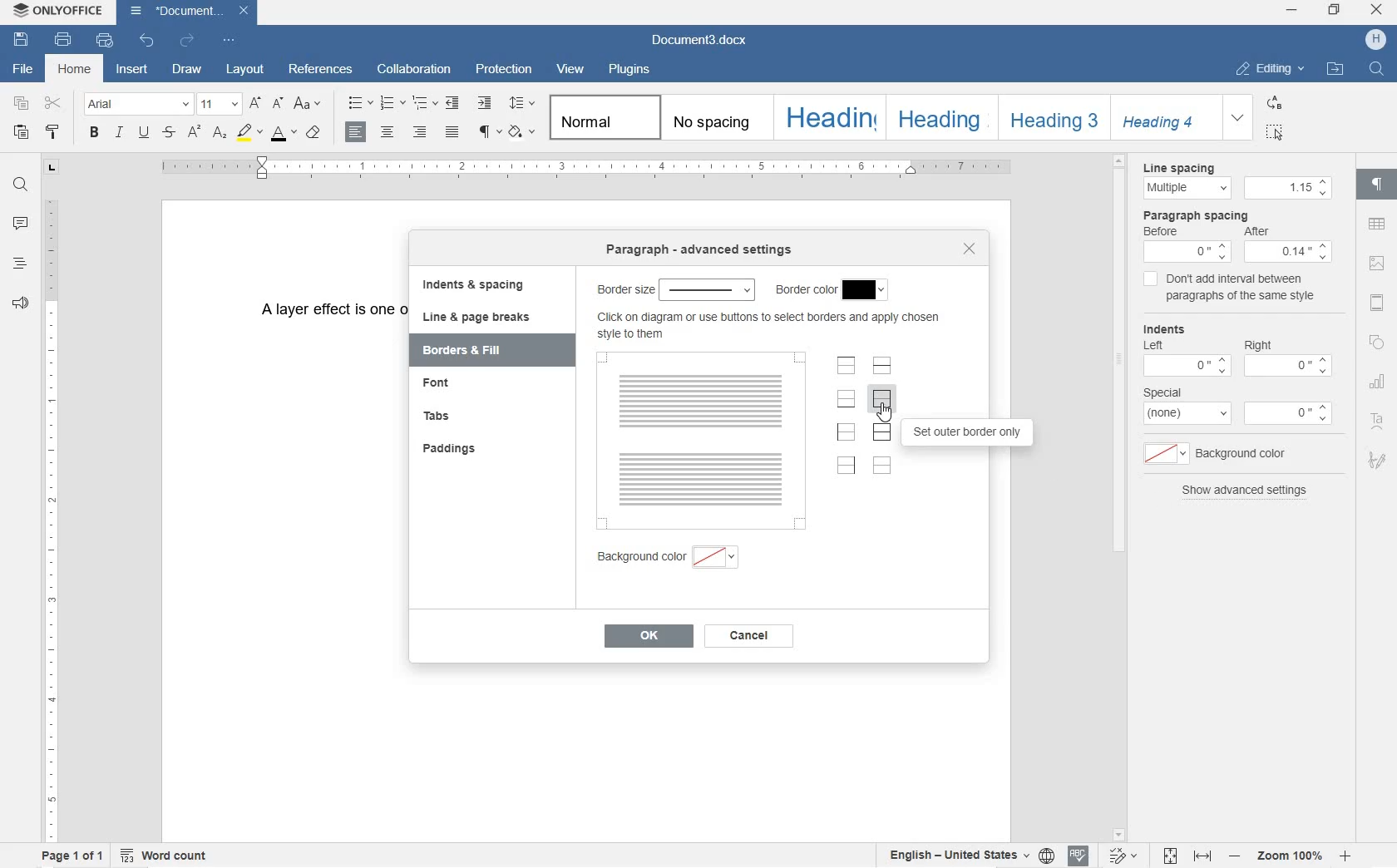  What do you see at coordinates (462, 387) in the screenshot?
I see `font` at bounding box center [462, 387].